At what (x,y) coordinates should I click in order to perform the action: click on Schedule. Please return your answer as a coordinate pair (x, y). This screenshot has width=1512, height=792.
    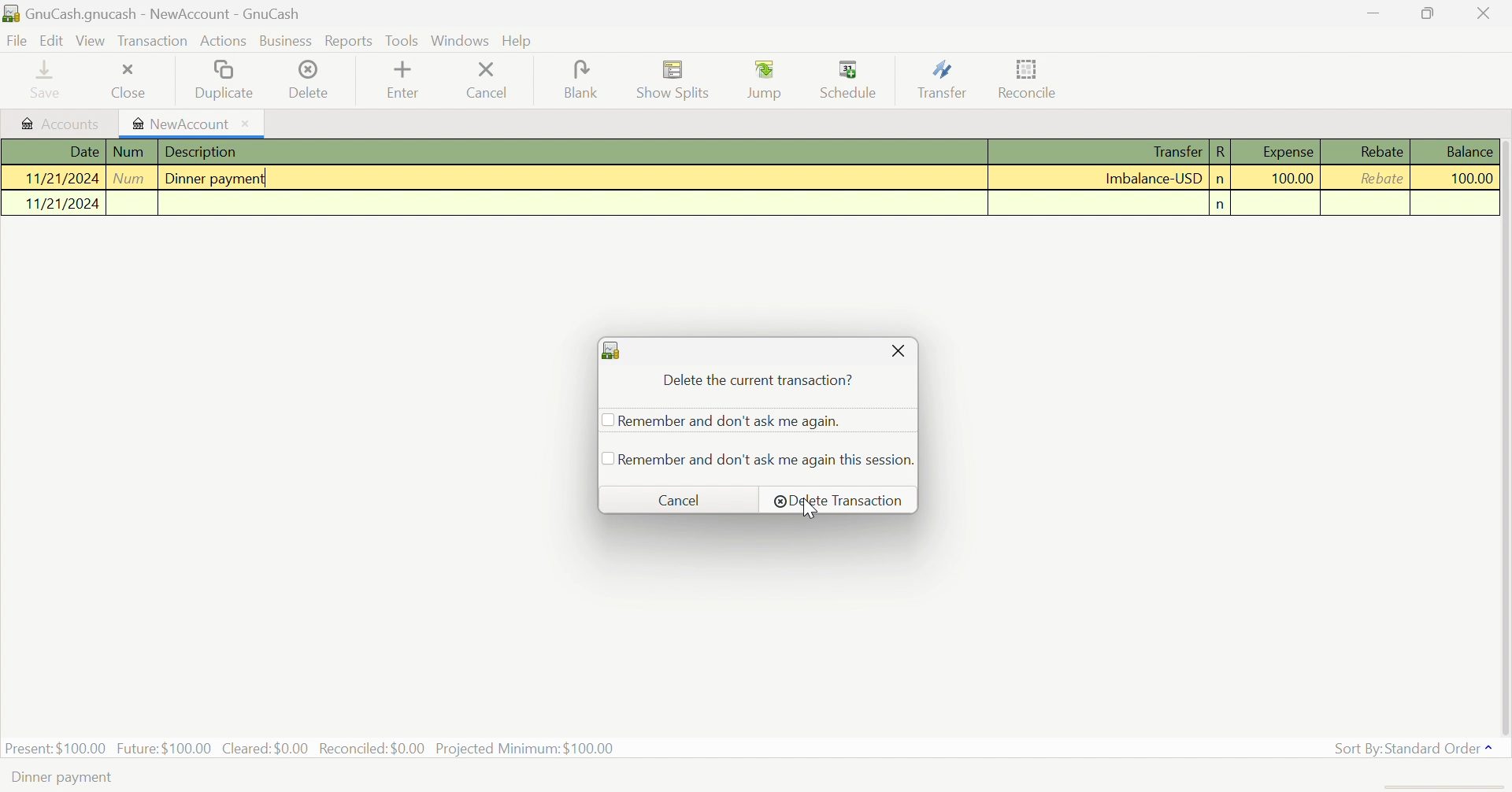
    Looking at the image, I should click on (853, 77).